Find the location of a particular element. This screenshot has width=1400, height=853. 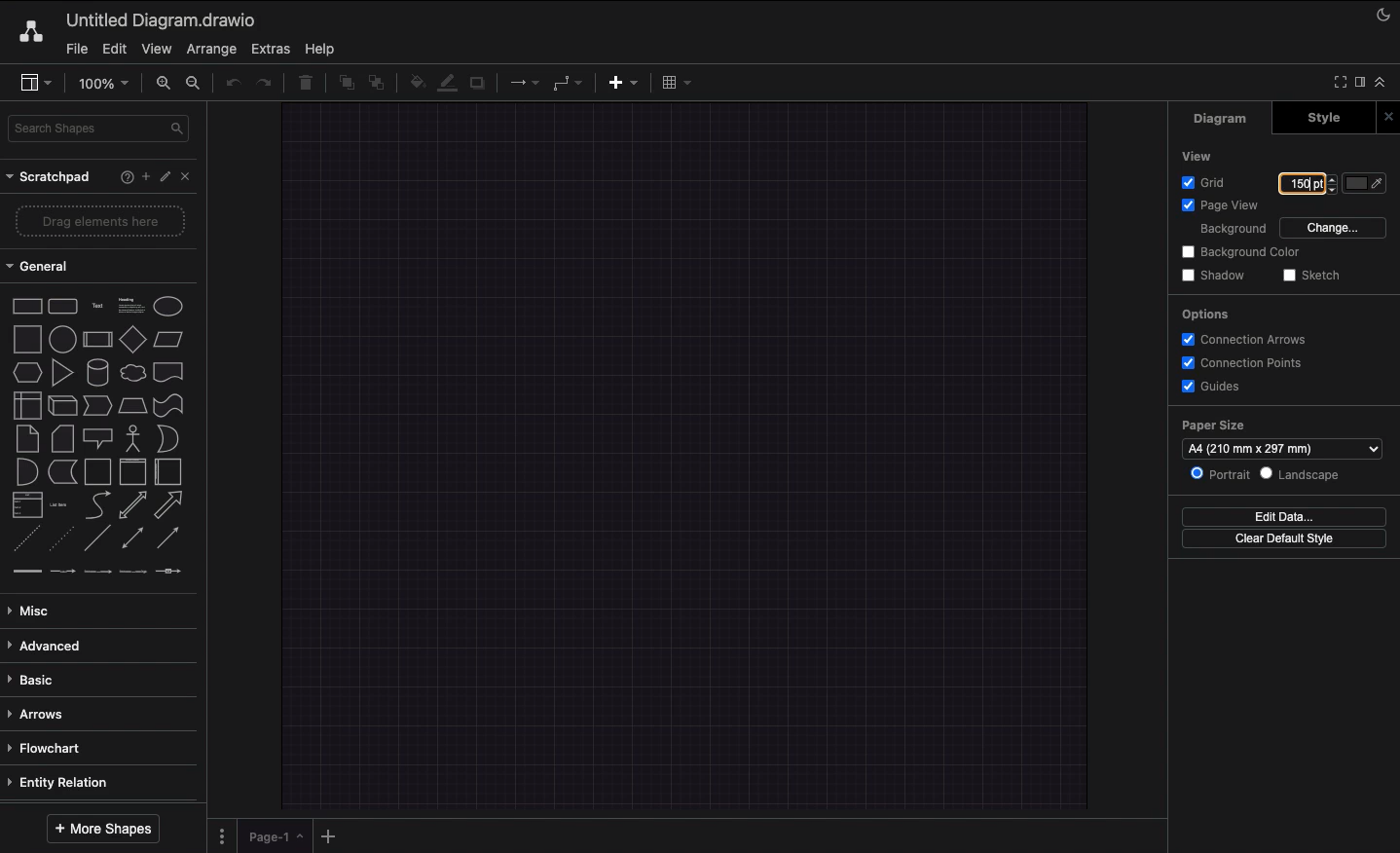

Move to back is located at coordinates (378, 85).